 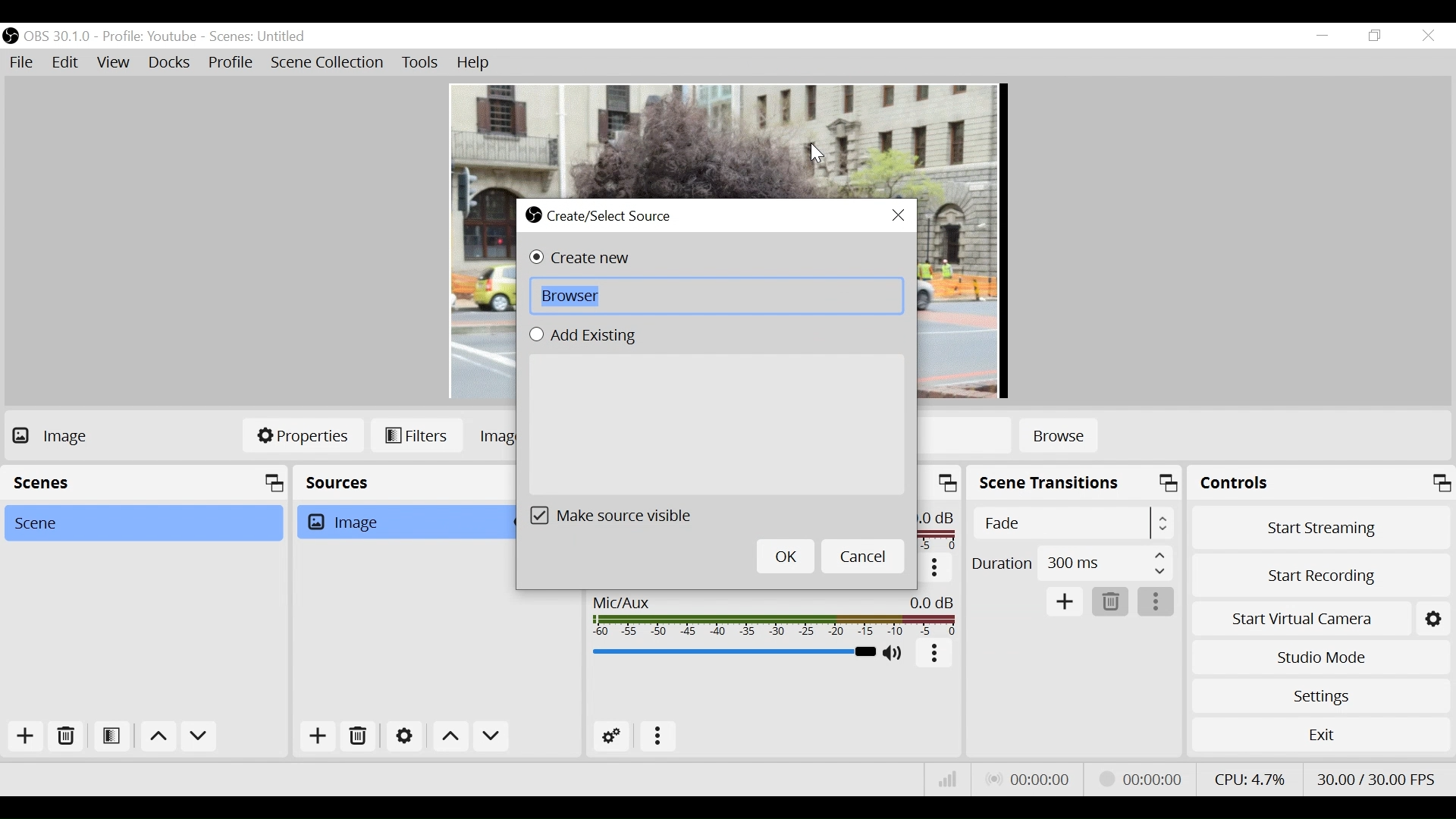 What do you see at coordinates (1158, 601) in the screenshot?
I see `More Options` at bounding box center [1158, 601].